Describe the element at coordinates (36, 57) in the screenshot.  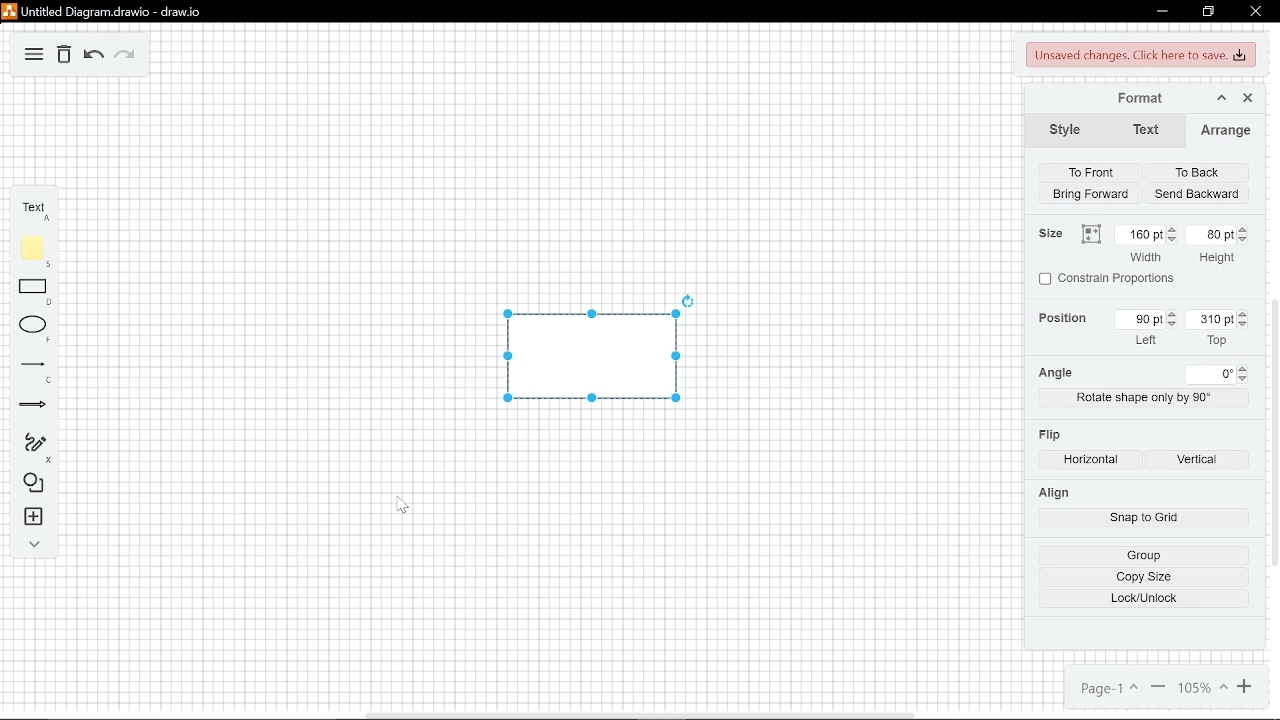
I see `diagram` at that location.